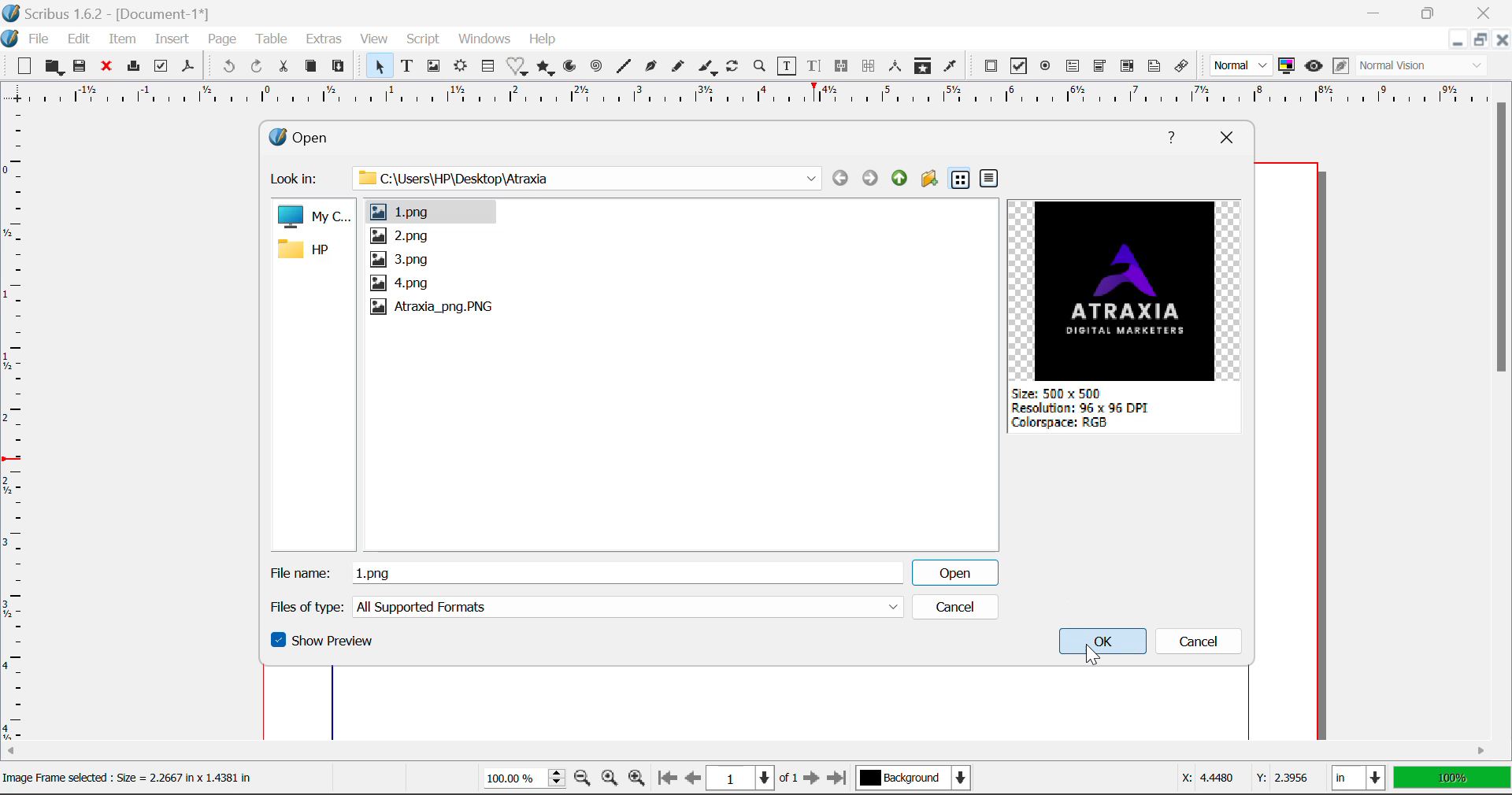  I want to click on Bezier Curve, so click(652, 68).